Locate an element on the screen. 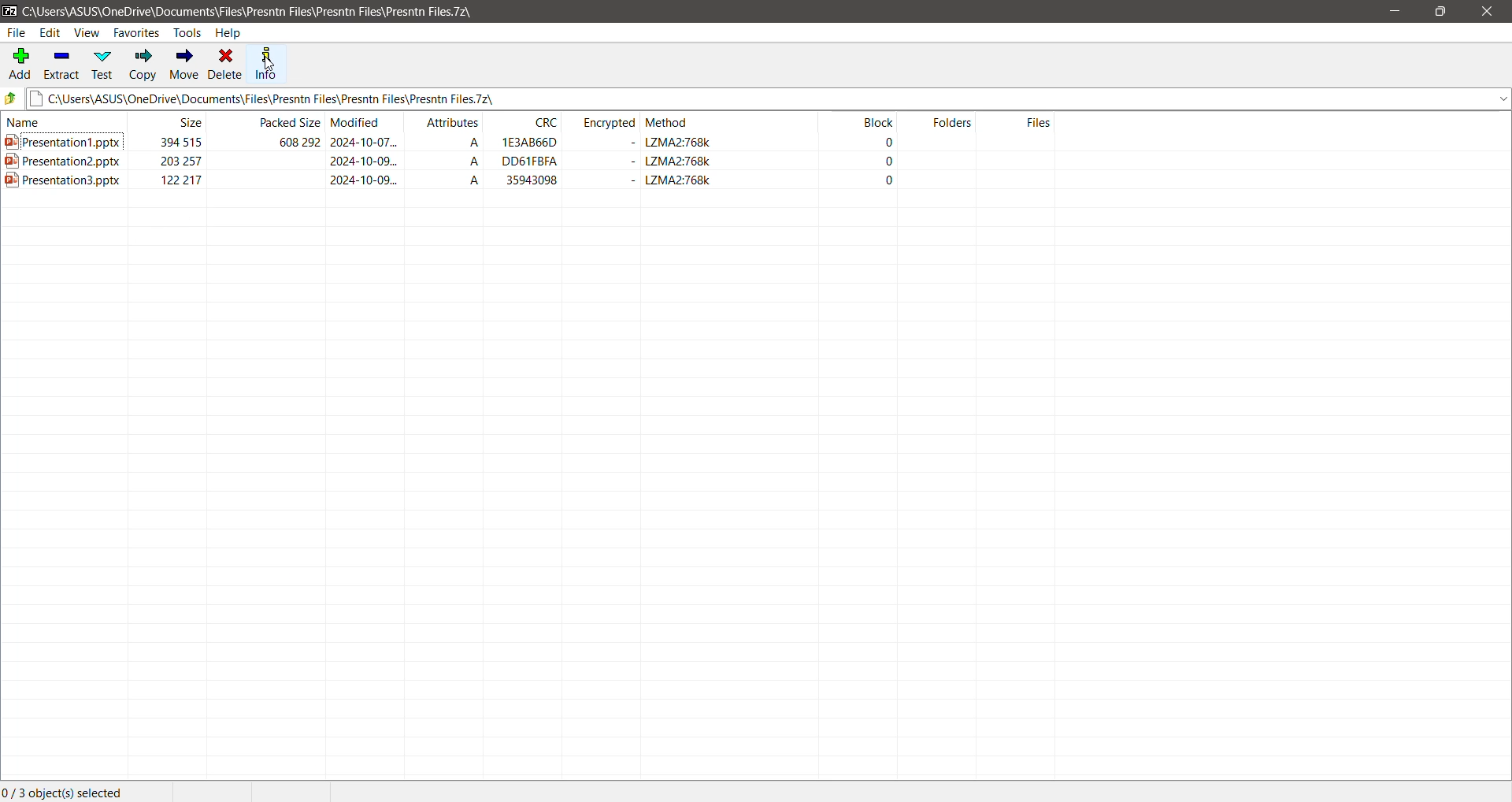  Test is located at coordinates (104, 64).